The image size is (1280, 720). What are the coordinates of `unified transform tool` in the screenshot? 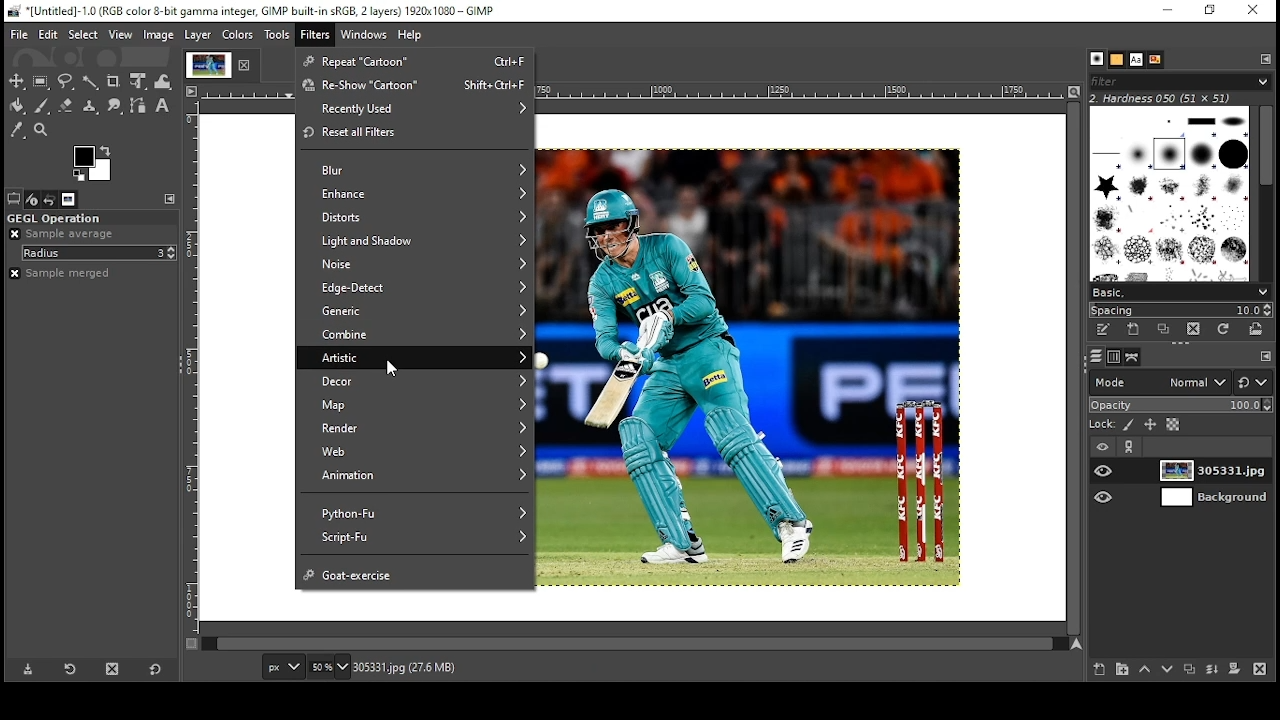 It's located at (139, 80).